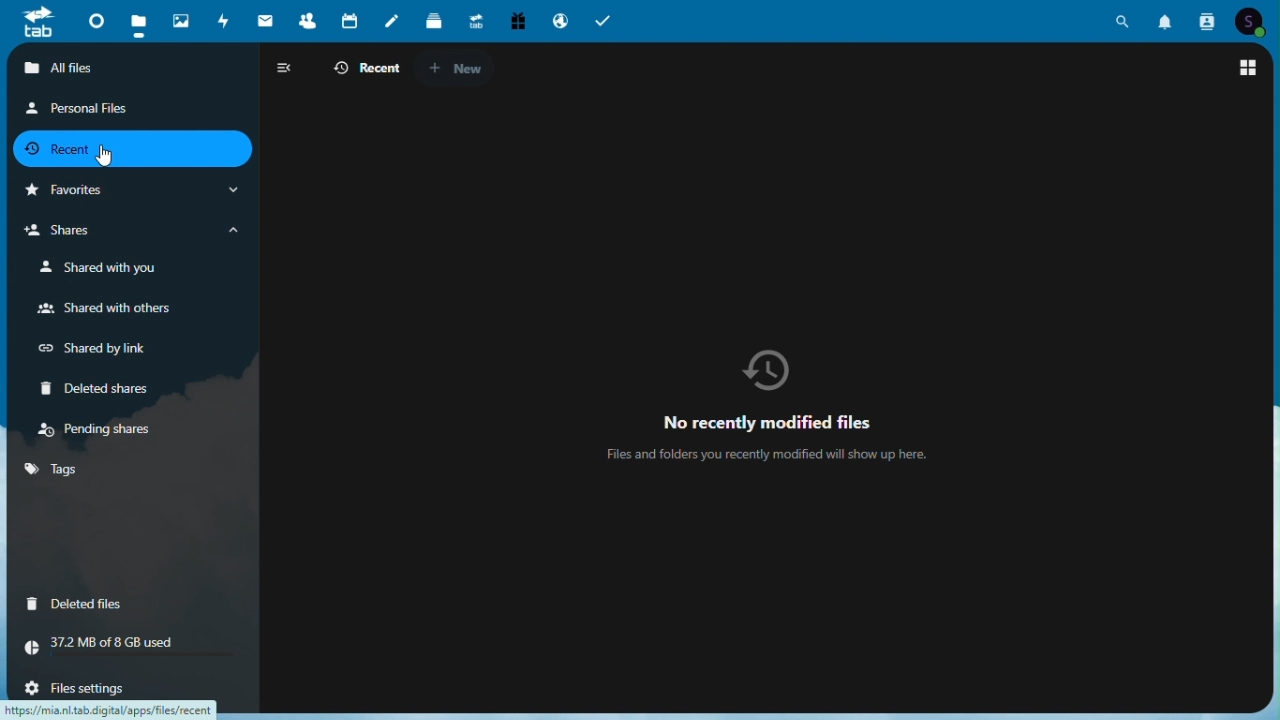 This screenshot has height=720, width=1280. What do you see at coordinates (141, 19) in the screenshot?
I see `Files` at bounding box center [141, 19].